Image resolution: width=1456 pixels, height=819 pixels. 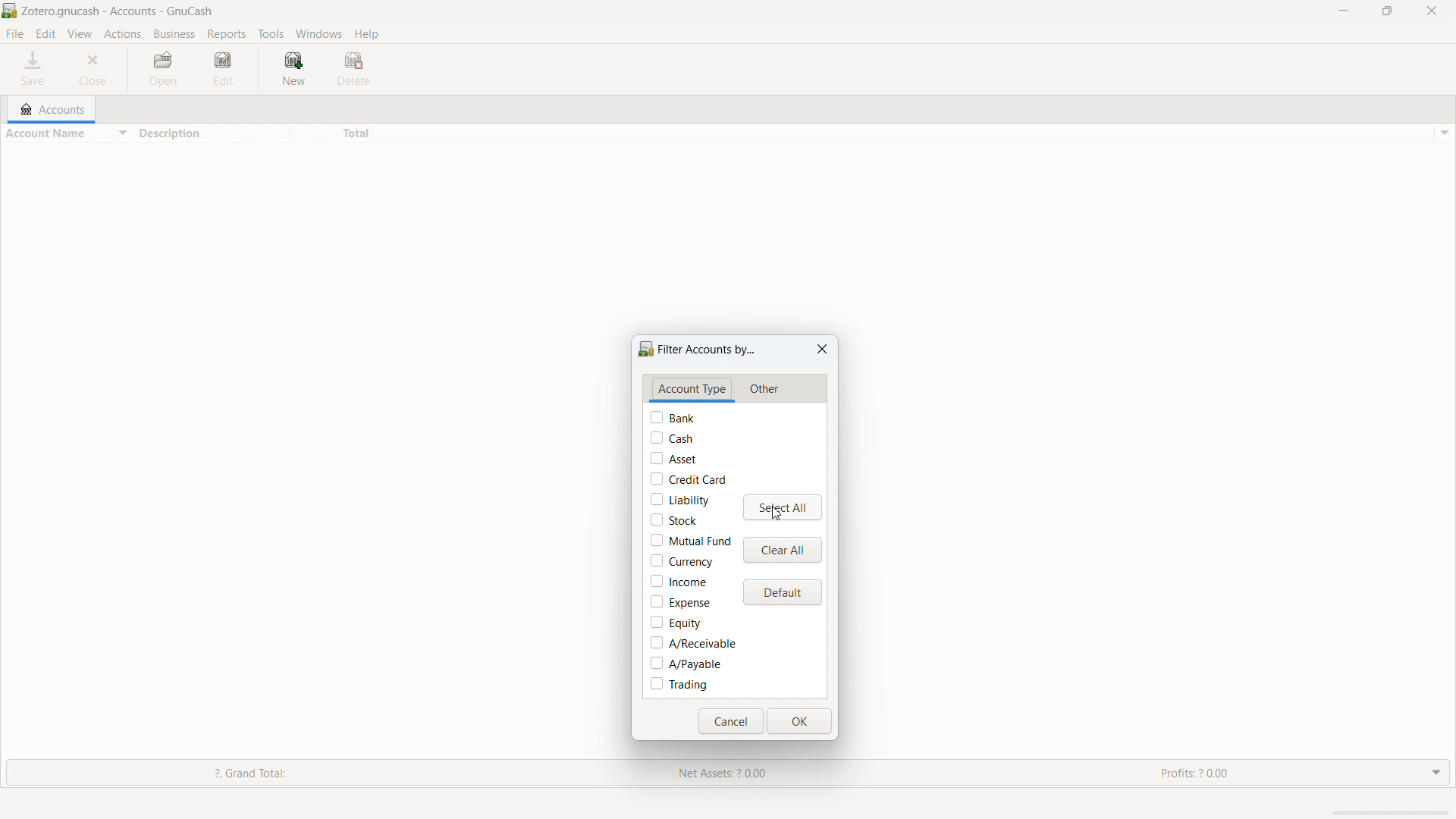 What do you see at coordinates (166, 69) in the screenshot?
I see `open` at bounding box center [166, 69].